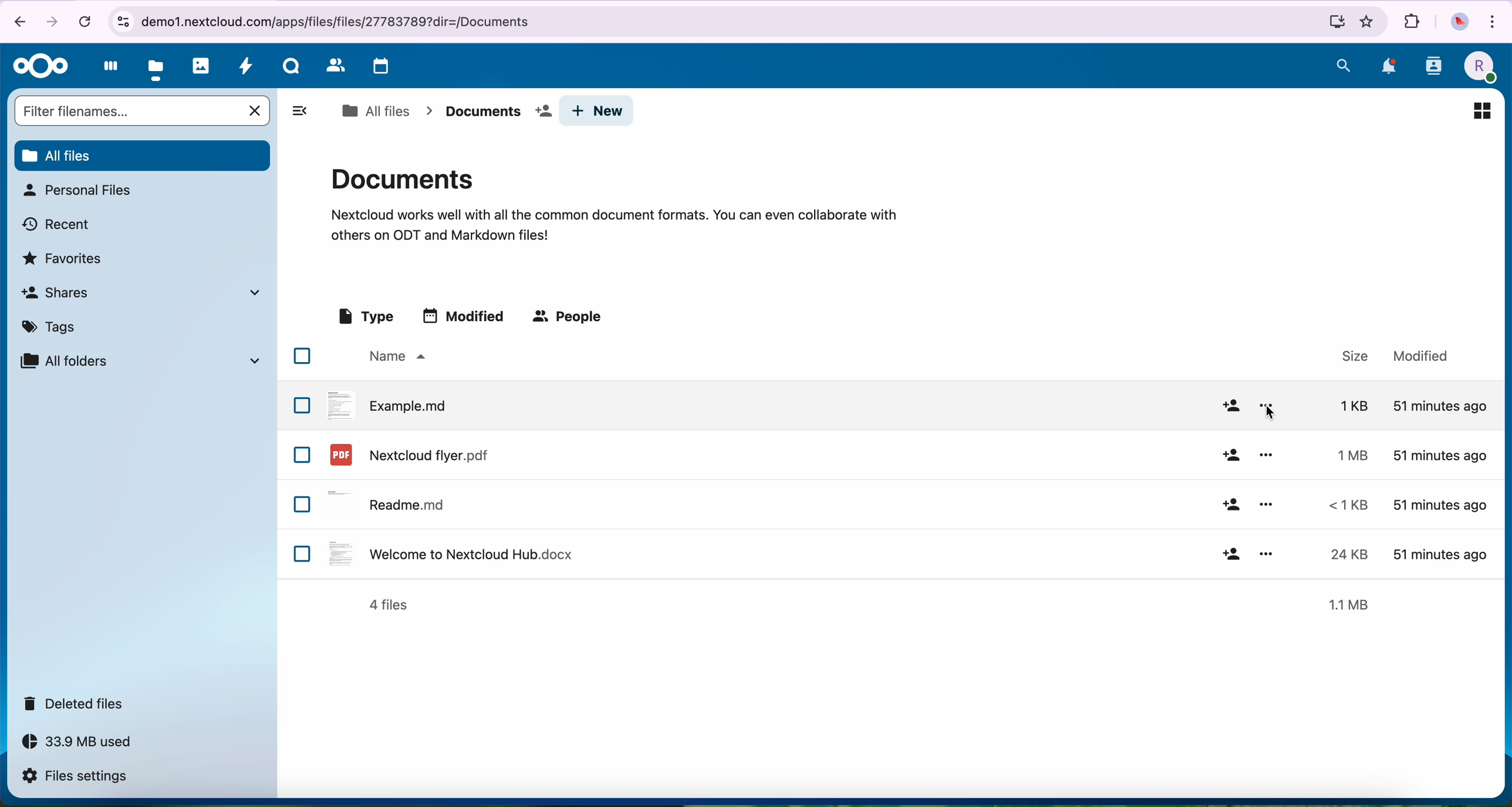  I want to click on add, so click(1233, 455).